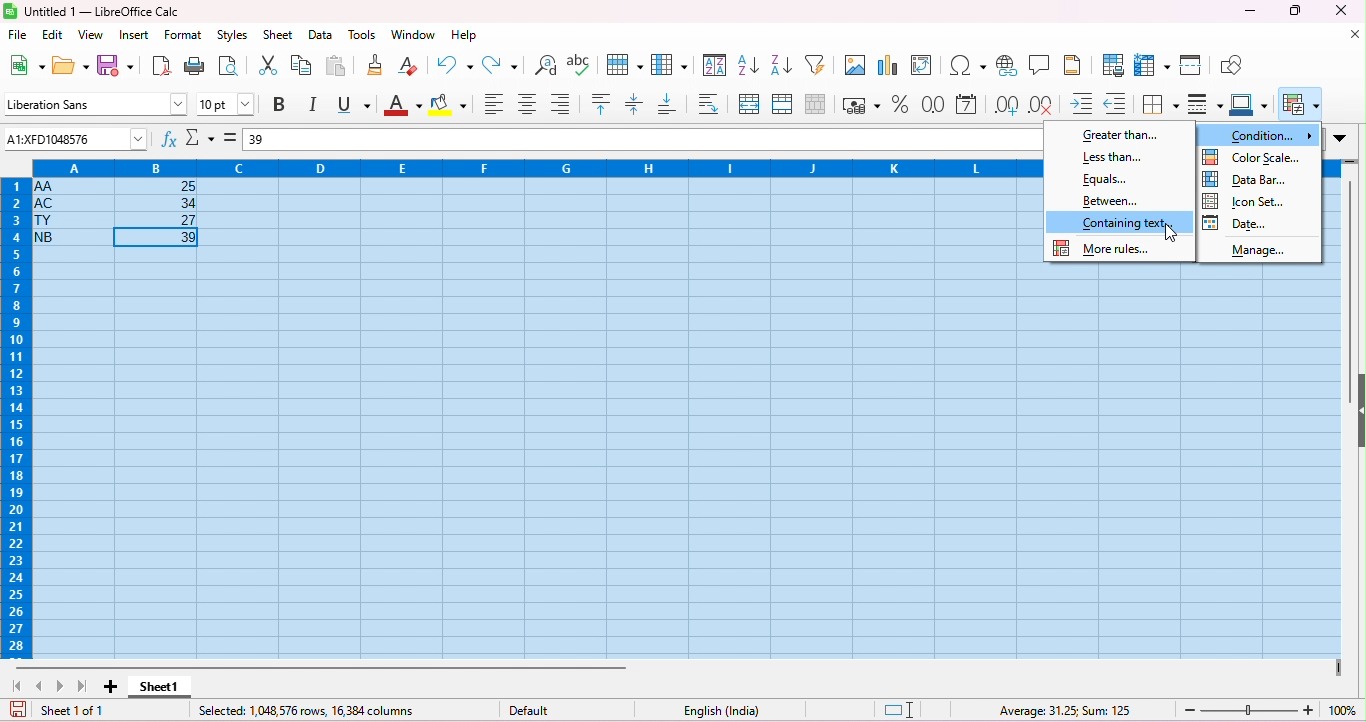  Describe the element at coordinates (258, 140) in the screenshot. I see `39` at that location.